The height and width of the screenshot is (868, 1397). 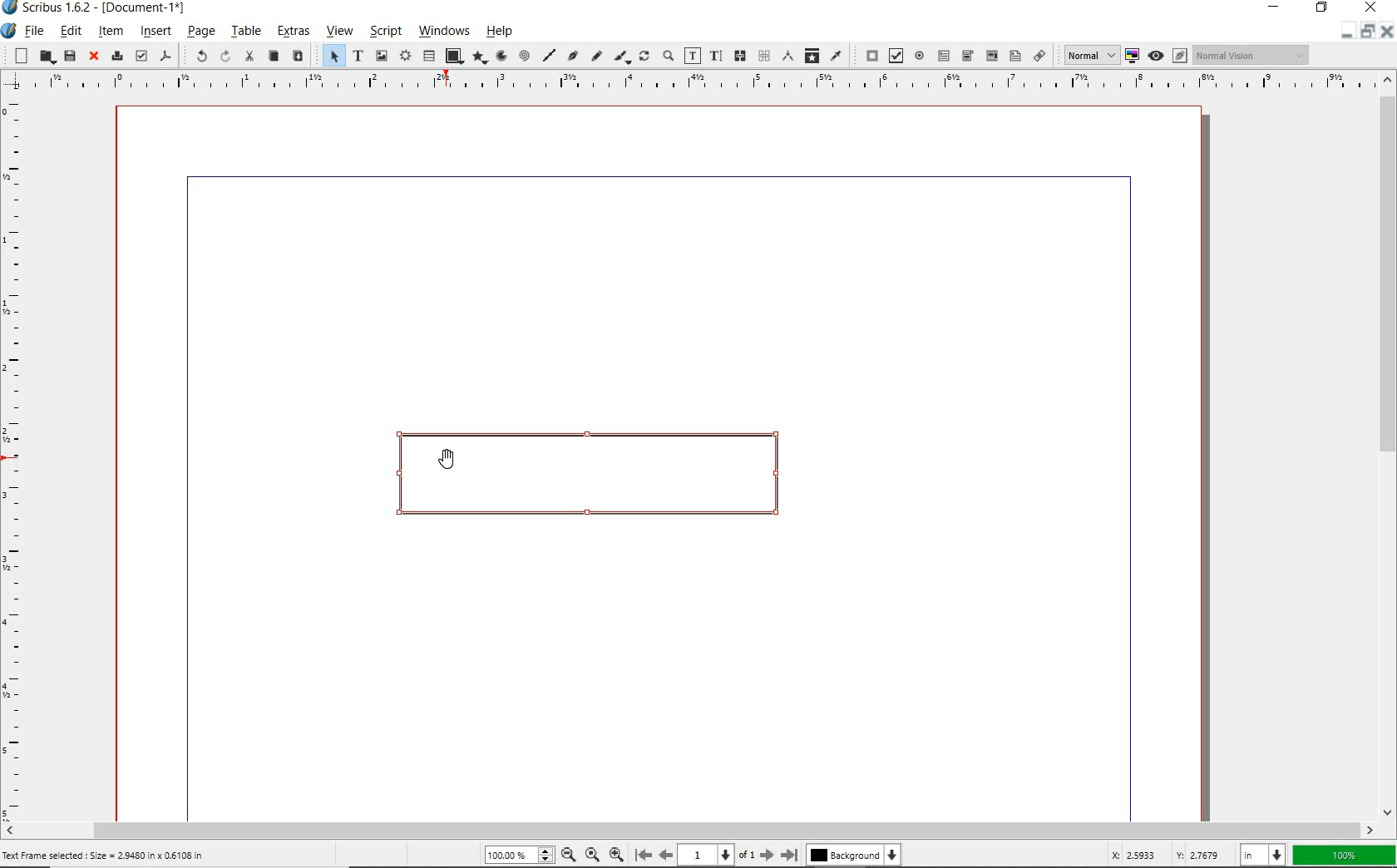 I want to click on calligraphic line, so click(x=622, y=57).